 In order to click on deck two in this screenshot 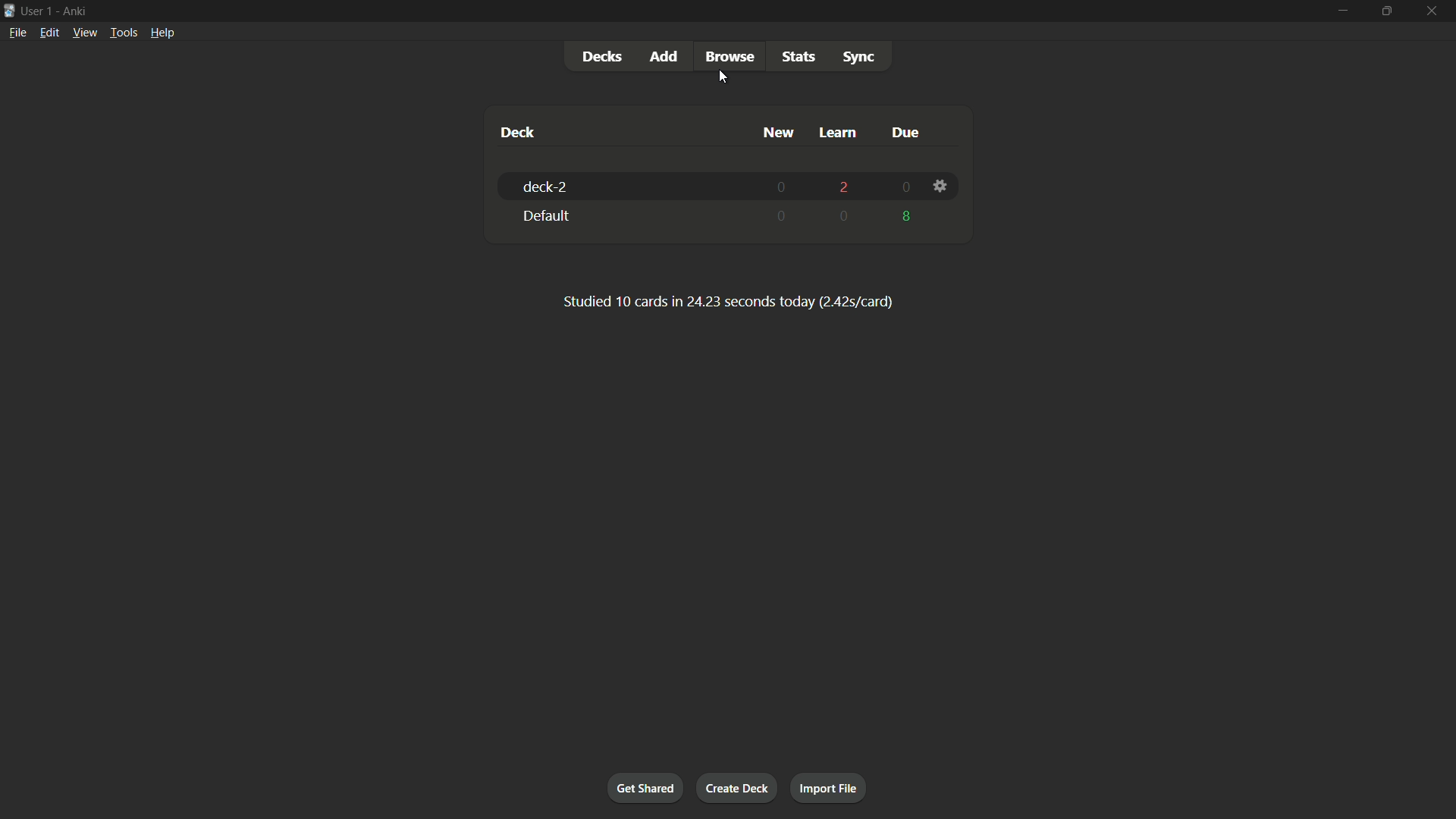, I will do `click(548, 188)`.